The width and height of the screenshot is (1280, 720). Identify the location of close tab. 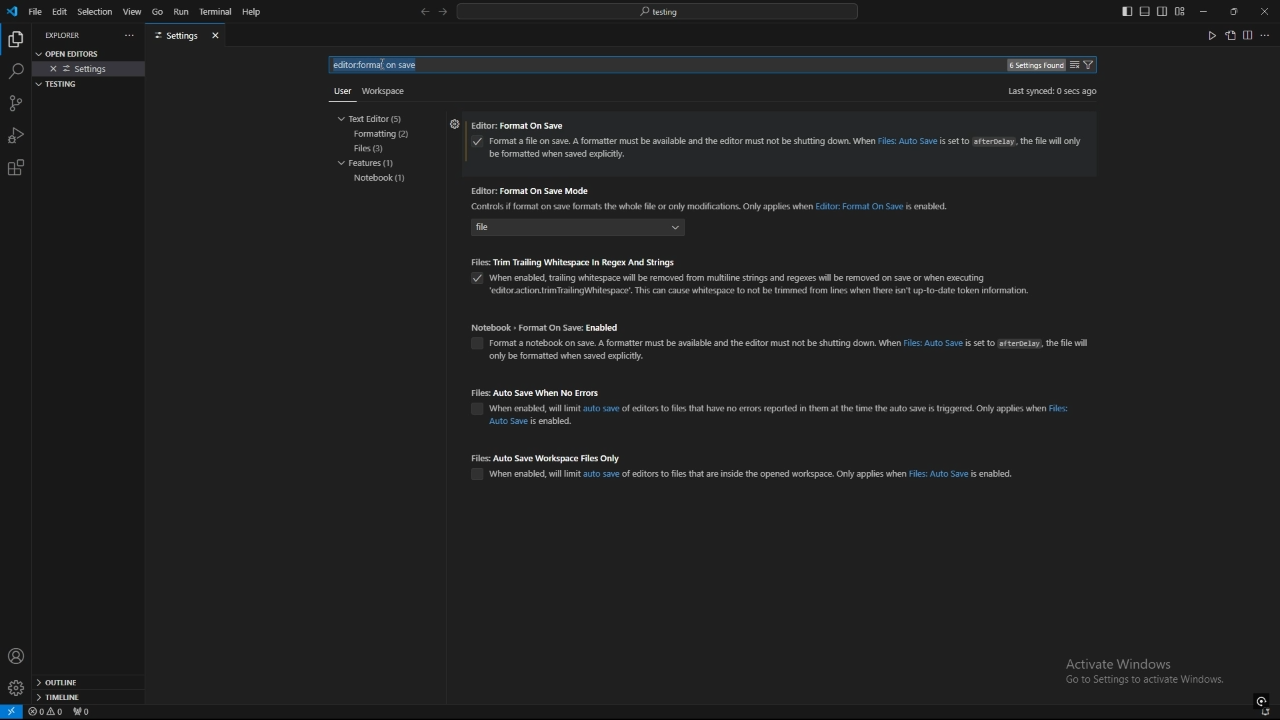
(218, 35).